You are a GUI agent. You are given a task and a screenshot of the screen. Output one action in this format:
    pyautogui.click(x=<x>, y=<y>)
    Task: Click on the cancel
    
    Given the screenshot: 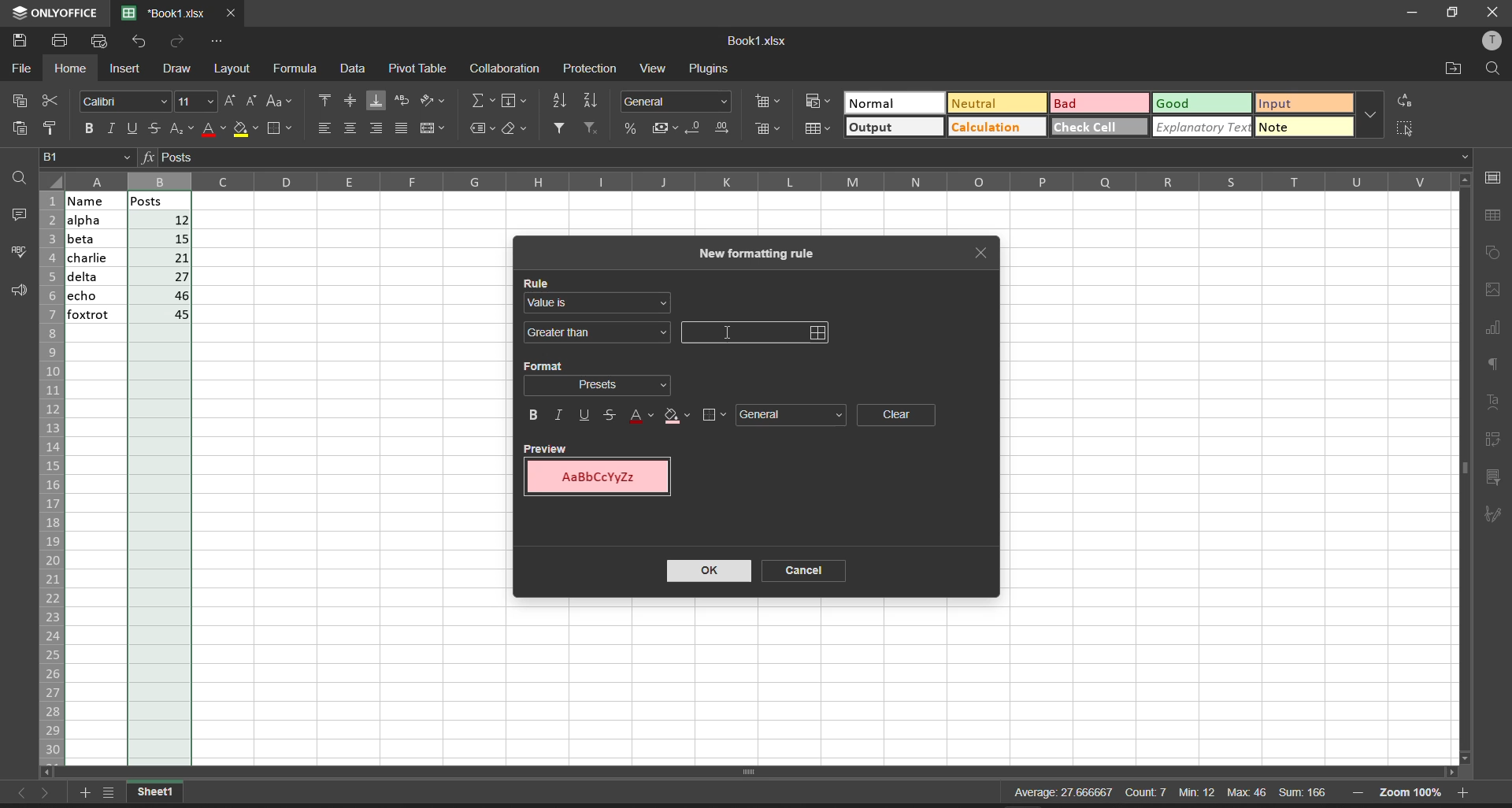 What is the action you would take?
    pyautogui.click(x=810, y=573)
    